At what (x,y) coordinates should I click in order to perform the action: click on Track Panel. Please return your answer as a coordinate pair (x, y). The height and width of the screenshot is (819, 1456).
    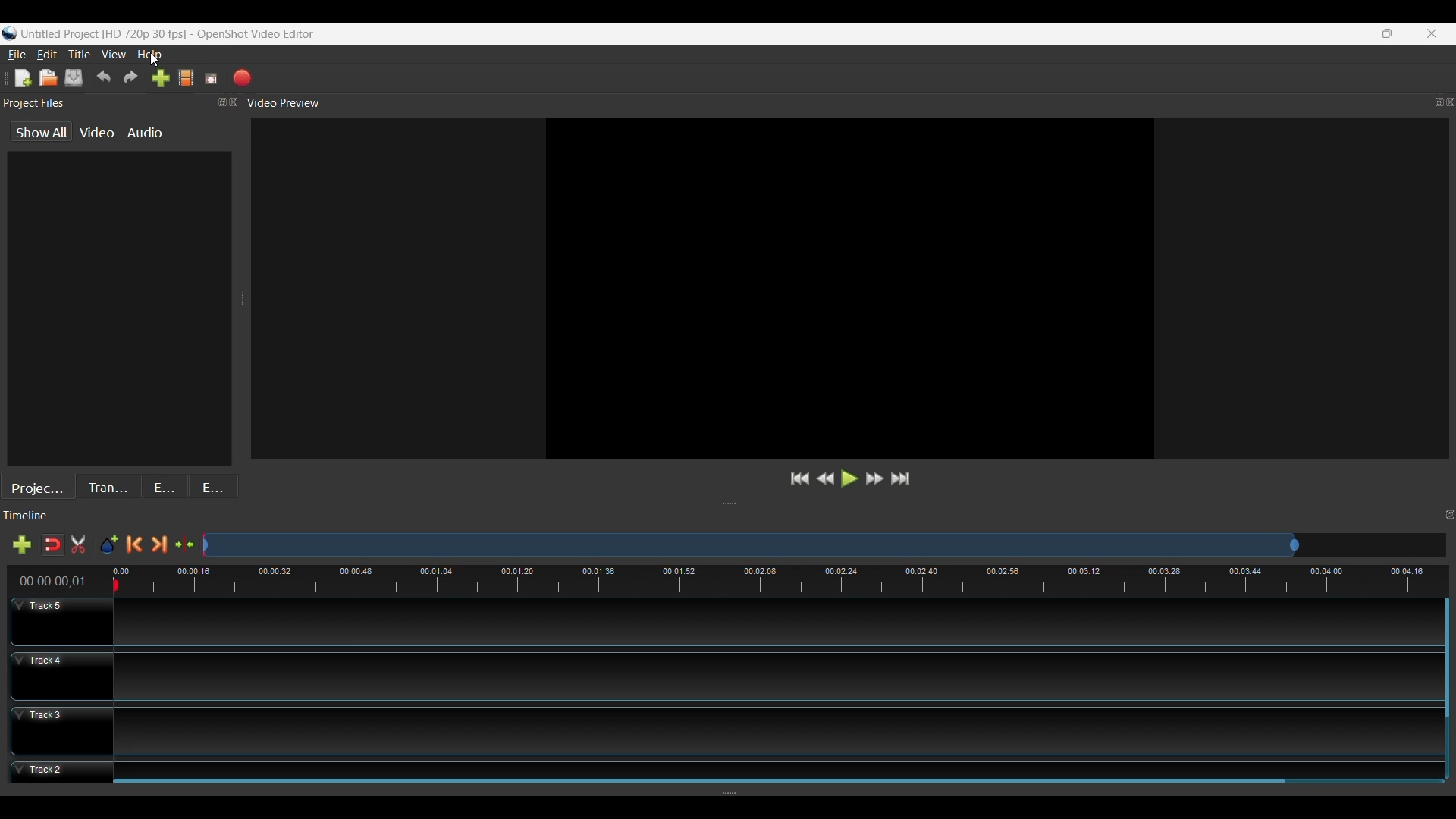
    Looking at the image, I should click on (776, 731).